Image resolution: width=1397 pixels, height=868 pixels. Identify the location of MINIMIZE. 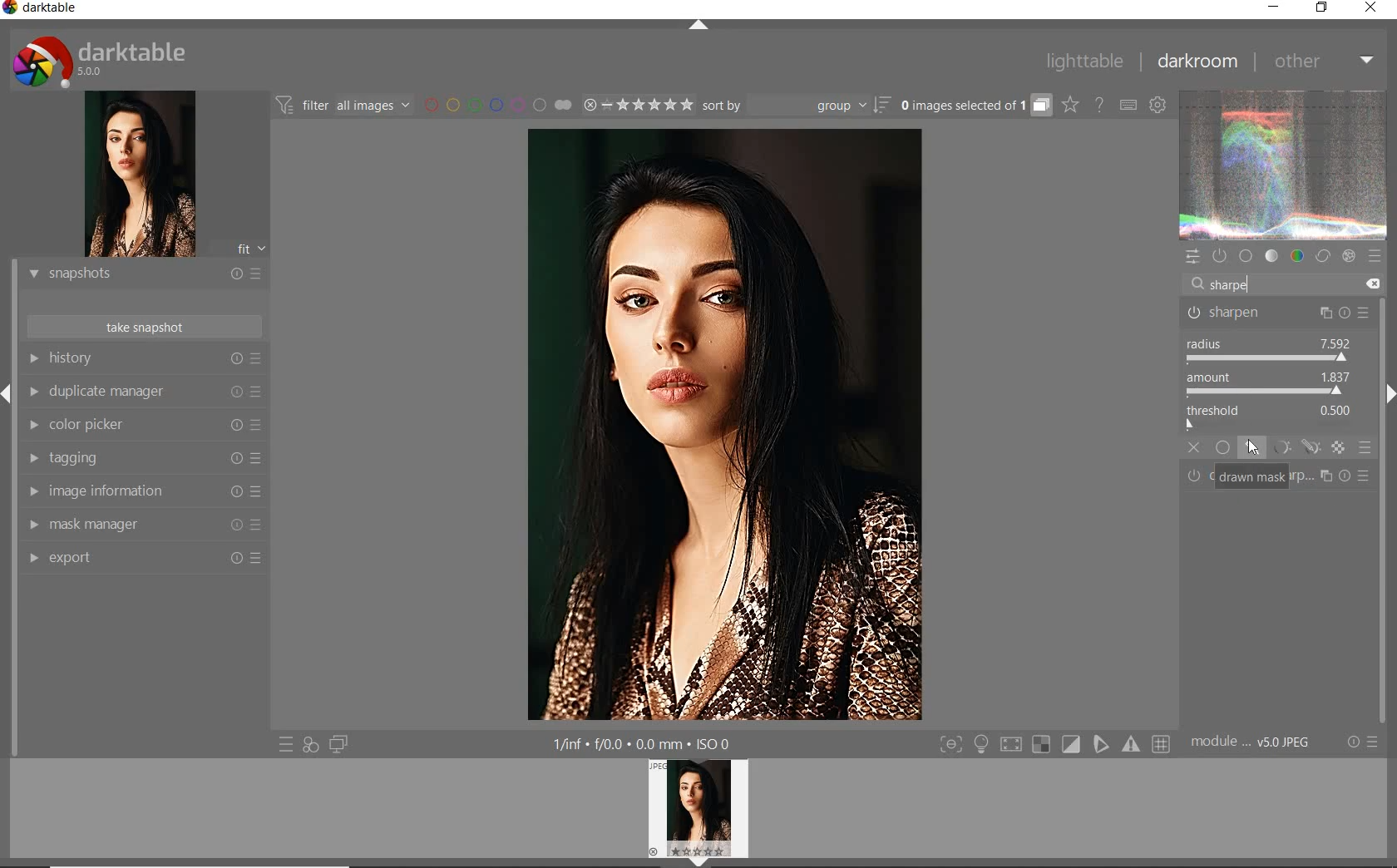
(1274, 8).